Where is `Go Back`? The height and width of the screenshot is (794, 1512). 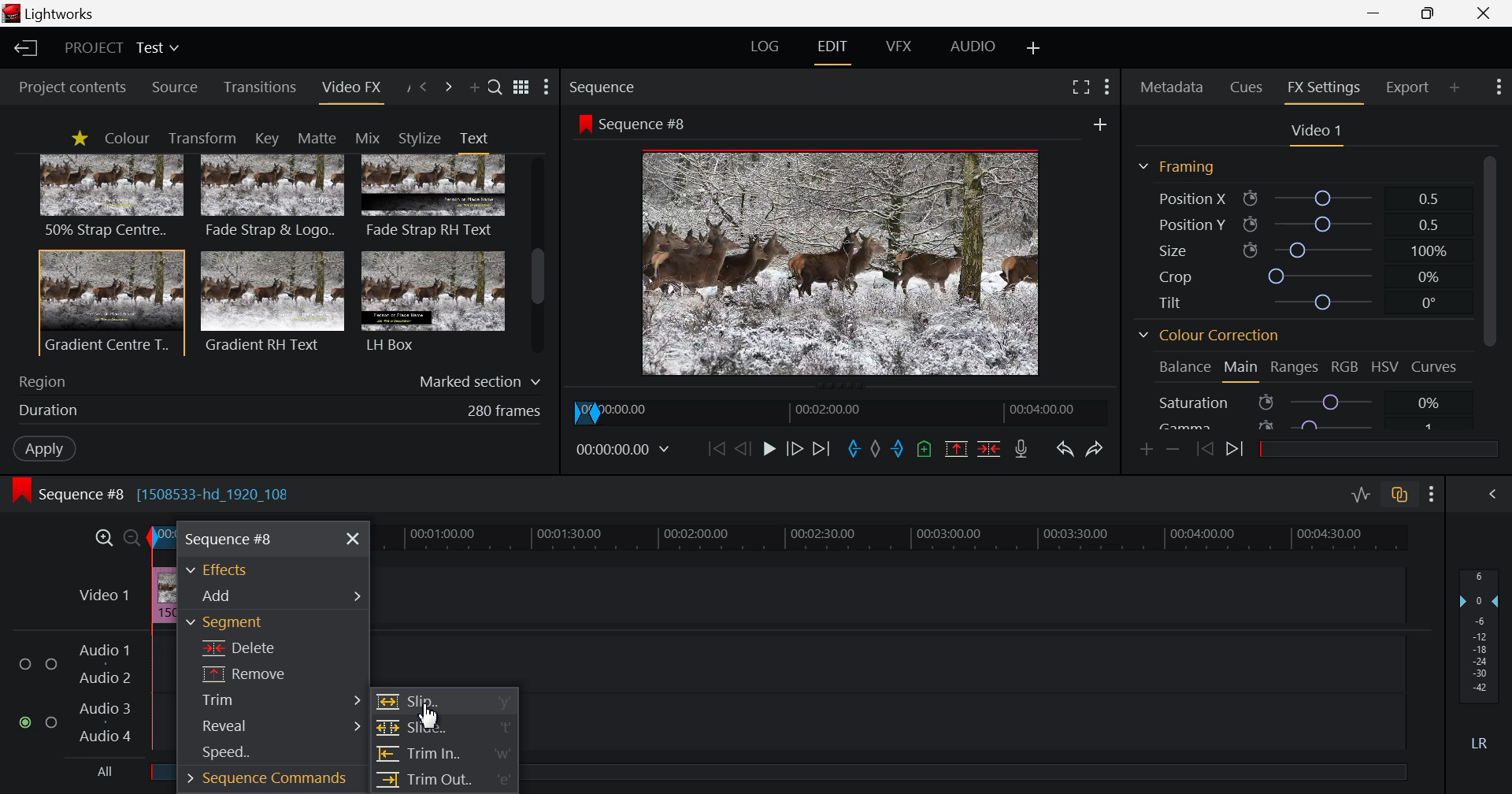
Go Back is located at coordinates (743, 448).